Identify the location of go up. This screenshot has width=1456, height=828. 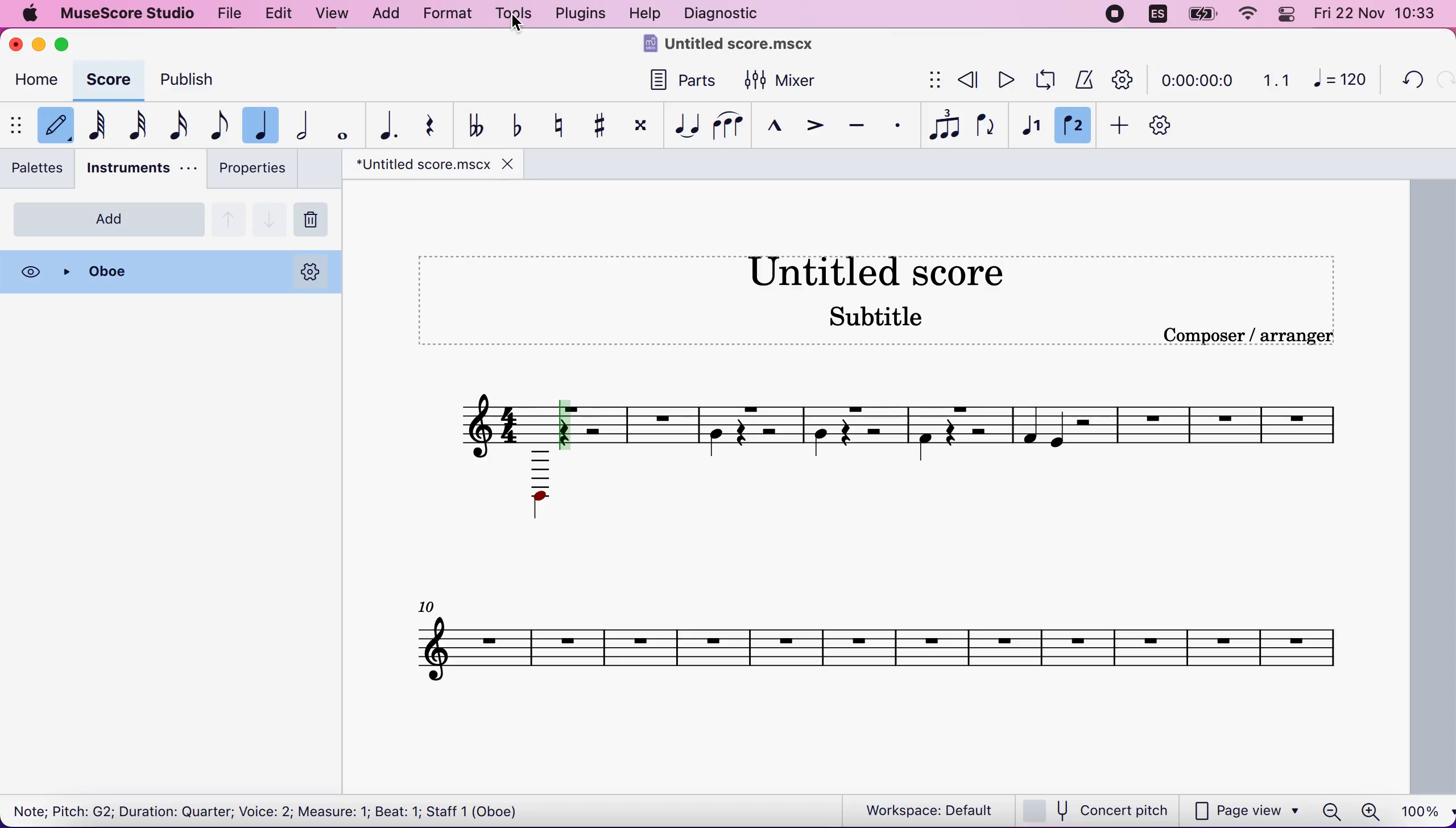
(229, 218).